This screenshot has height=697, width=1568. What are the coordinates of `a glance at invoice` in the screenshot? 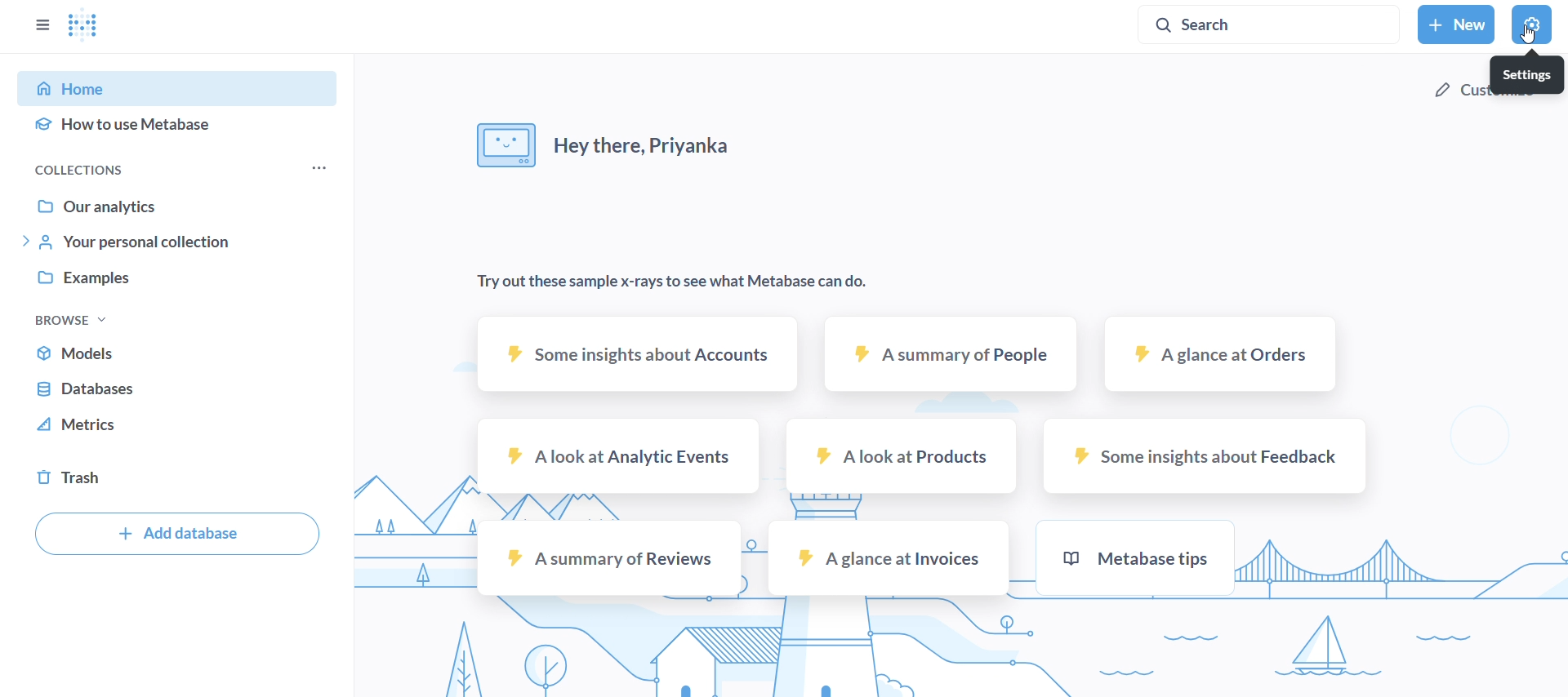 It's located at (888, 557).